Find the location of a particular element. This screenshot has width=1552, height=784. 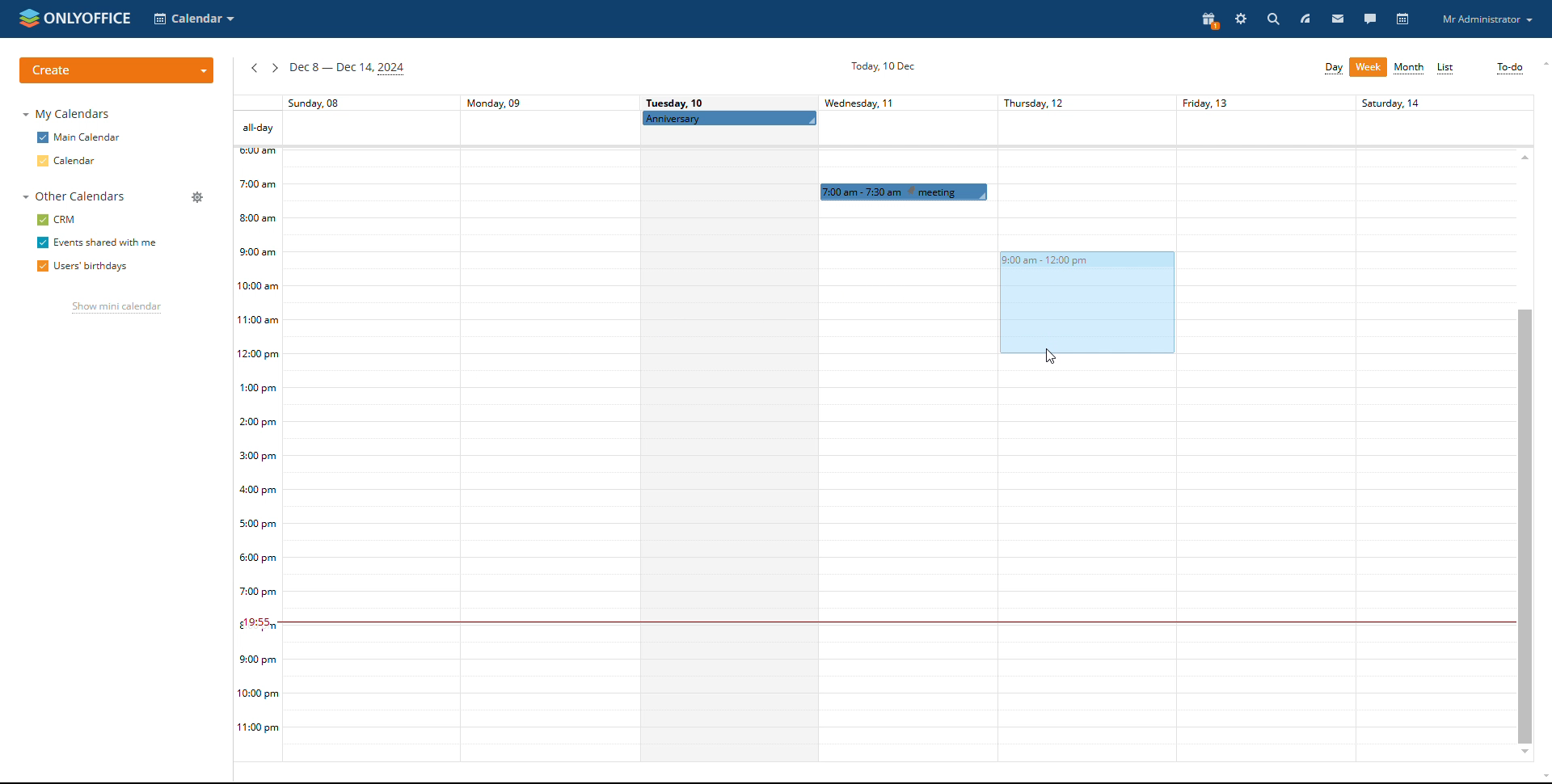

talk is located at coordinates (1371, 19).